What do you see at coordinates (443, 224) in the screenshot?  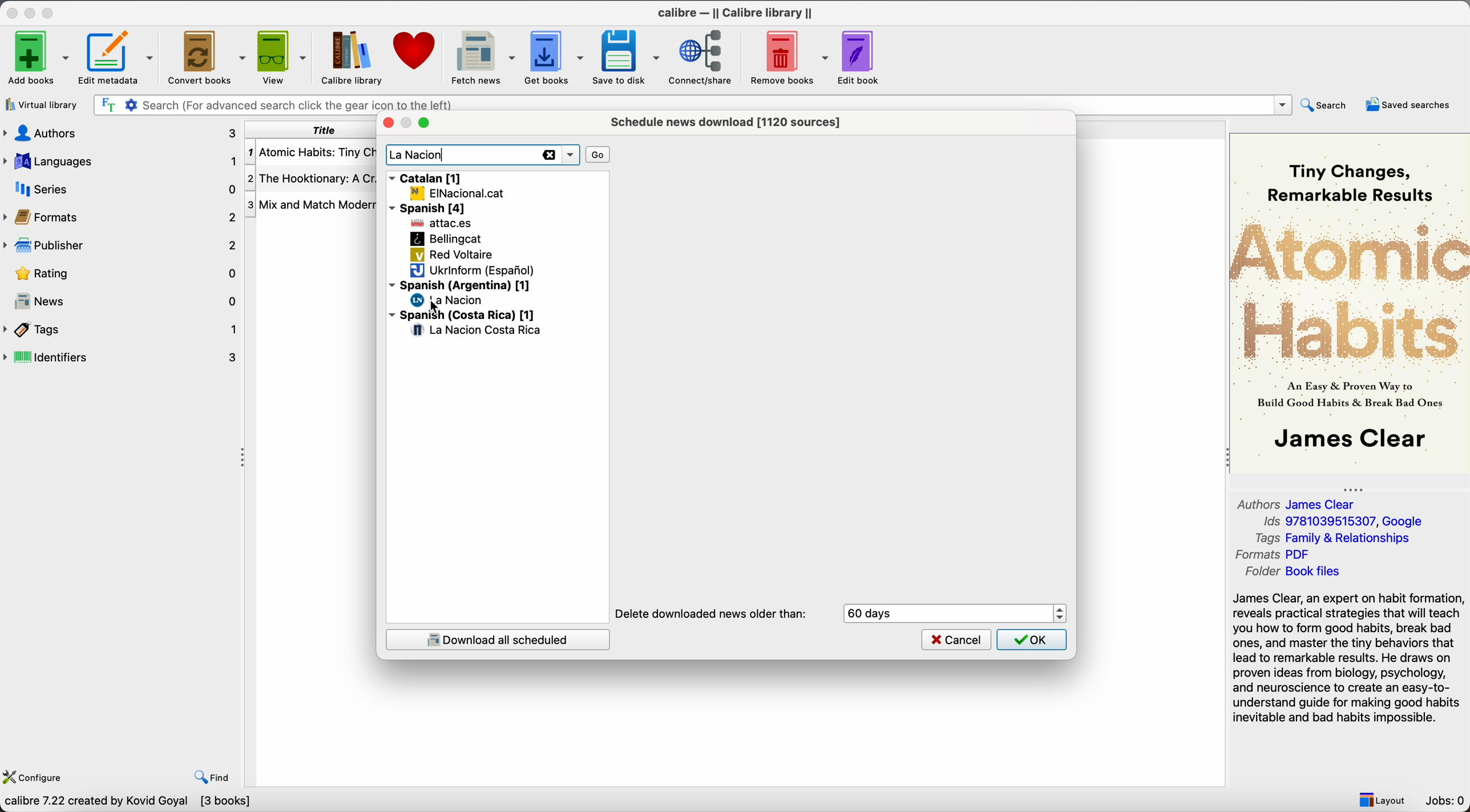 I see `attac.es` at bounding box center [443, 224].